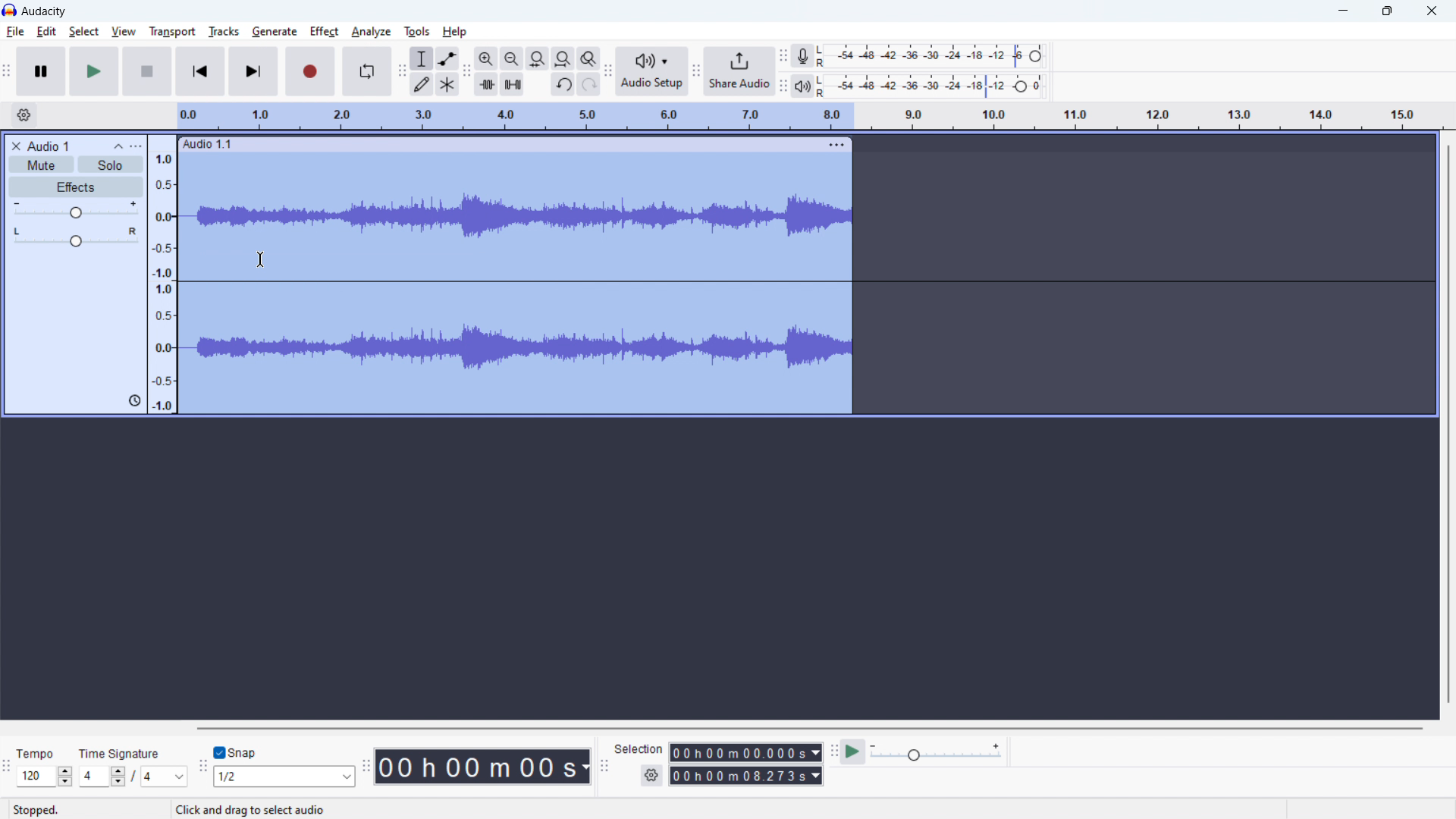 Image resolution: width=1456 pixels, height=819 pixels. I want to click on share audio, so click(740, 71).